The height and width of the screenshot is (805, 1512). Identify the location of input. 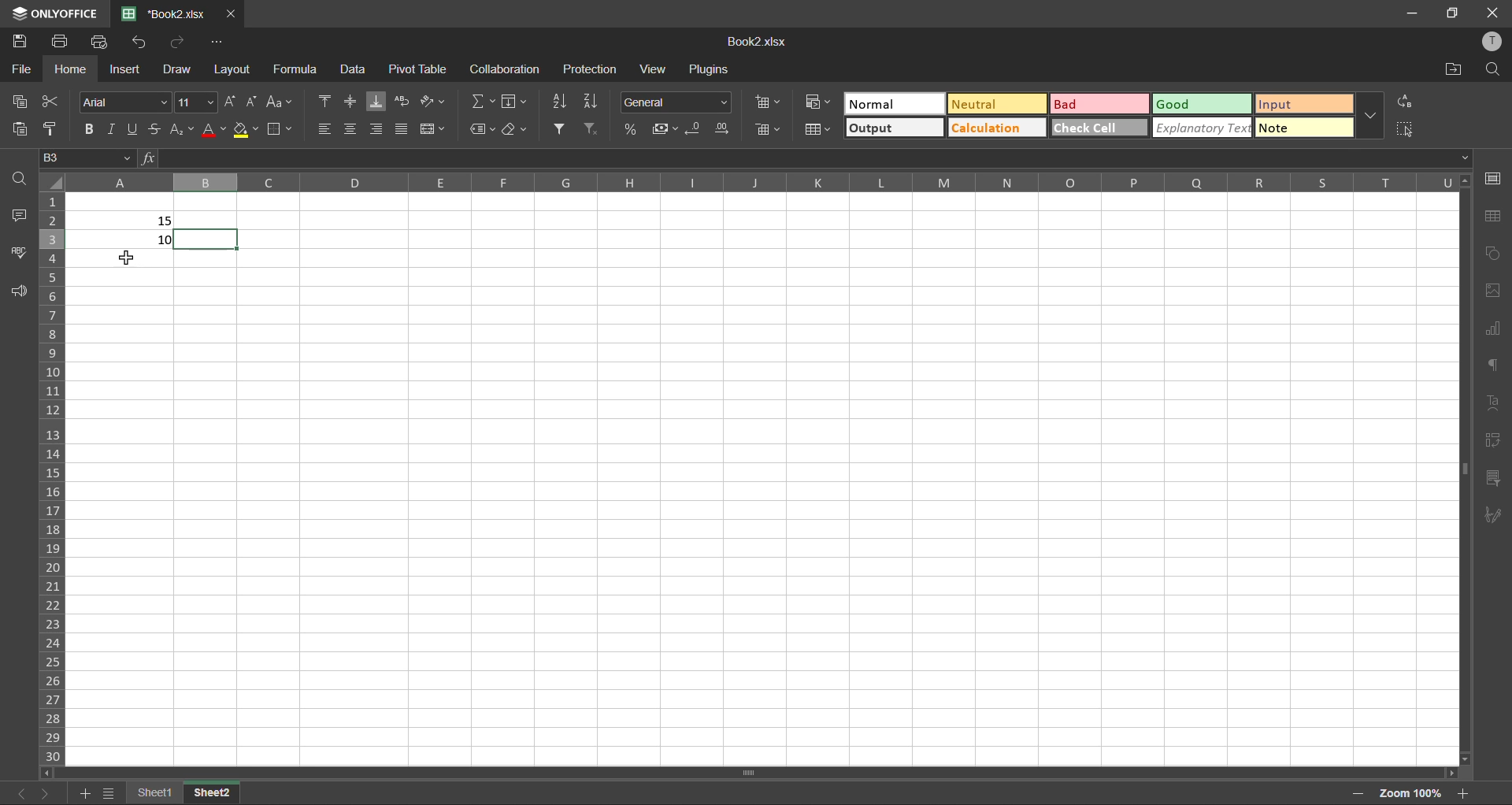
(1303, 105).